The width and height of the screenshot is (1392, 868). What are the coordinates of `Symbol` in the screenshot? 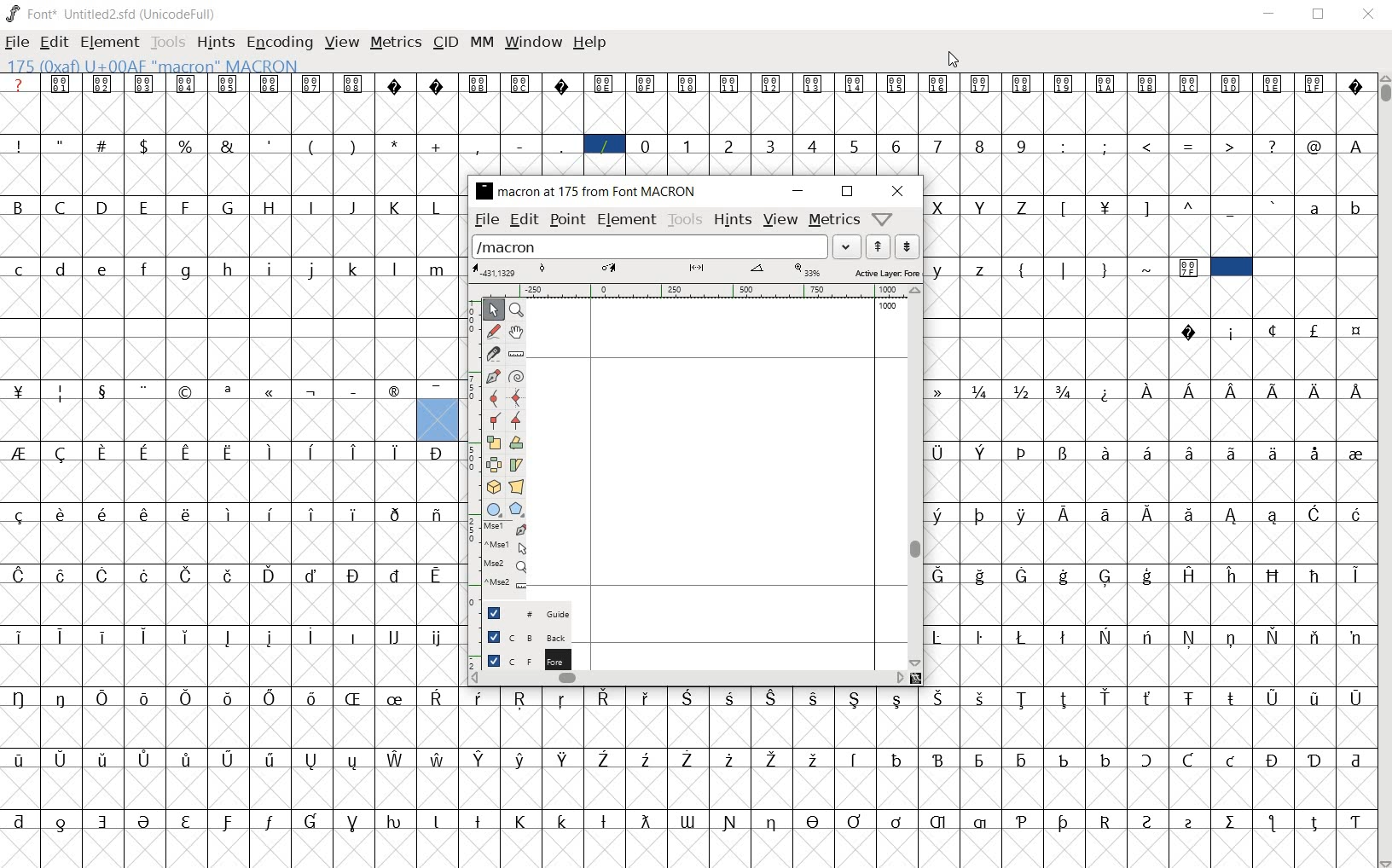 It's located at (855, 700).